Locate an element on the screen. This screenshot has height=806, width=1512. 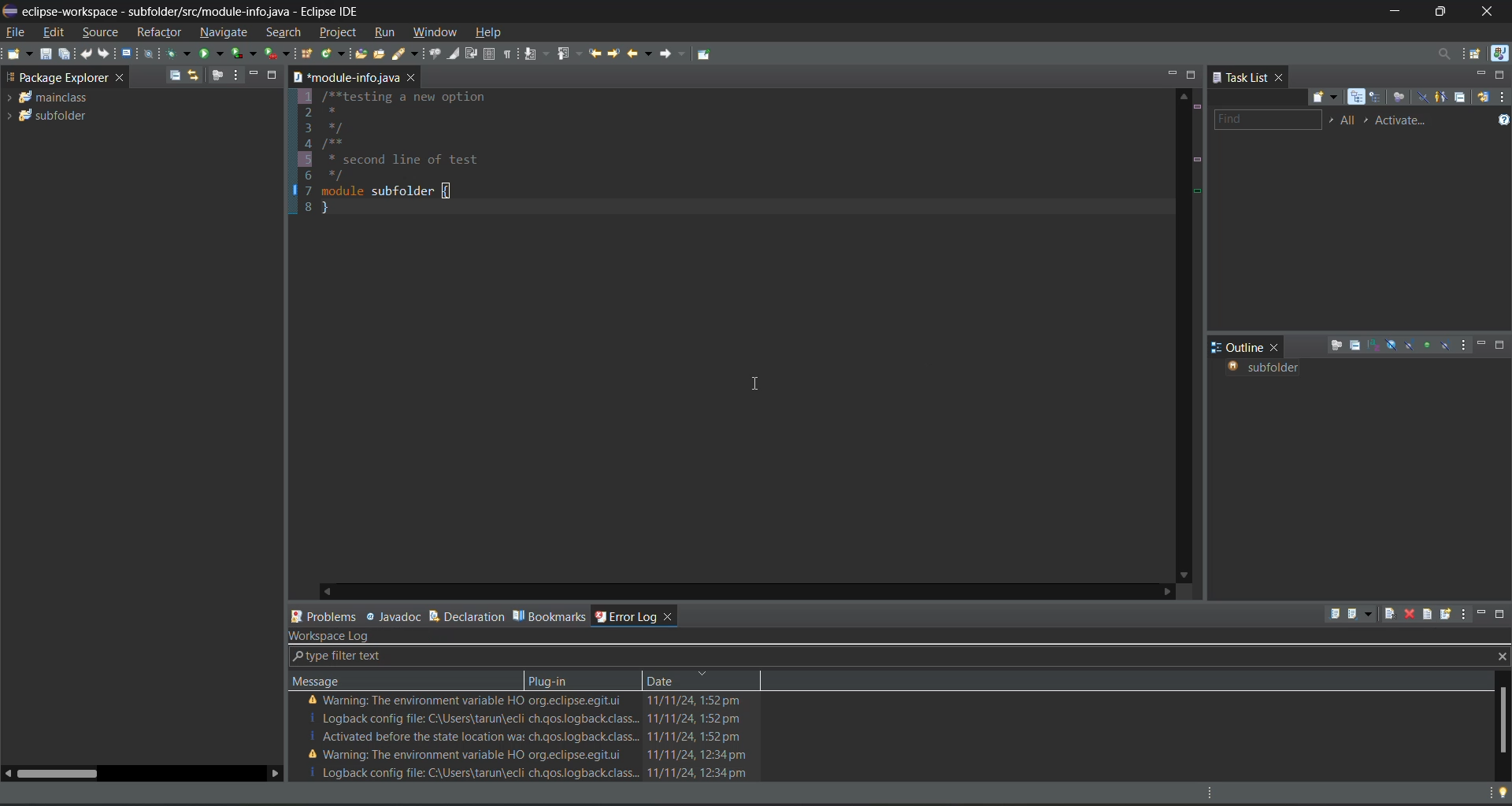
previous annotation is located at coordinates (568, 52).